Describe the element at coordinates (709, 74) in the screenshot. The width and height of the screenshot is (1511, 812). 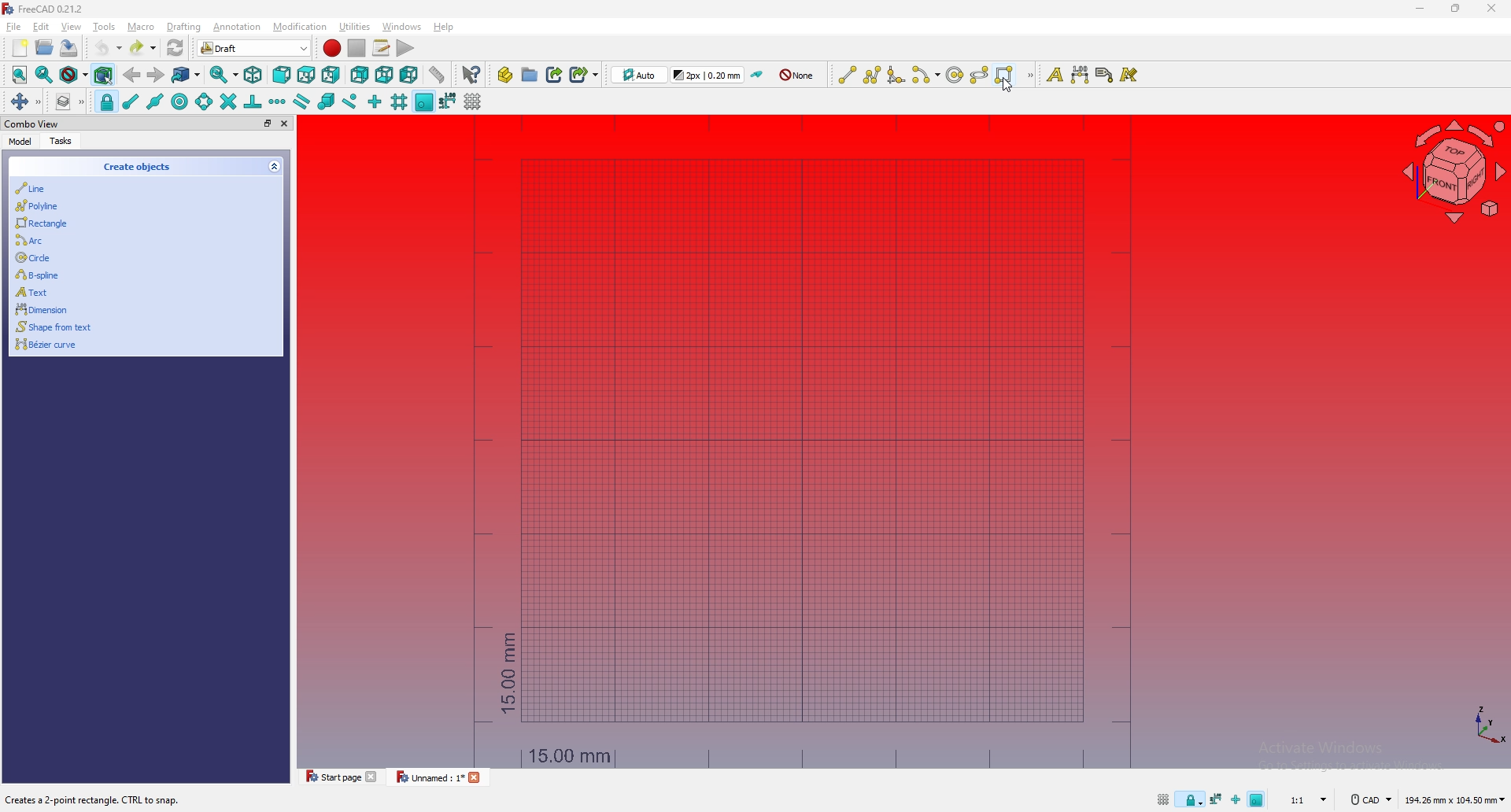
I see `change default style for new objects` at that location.